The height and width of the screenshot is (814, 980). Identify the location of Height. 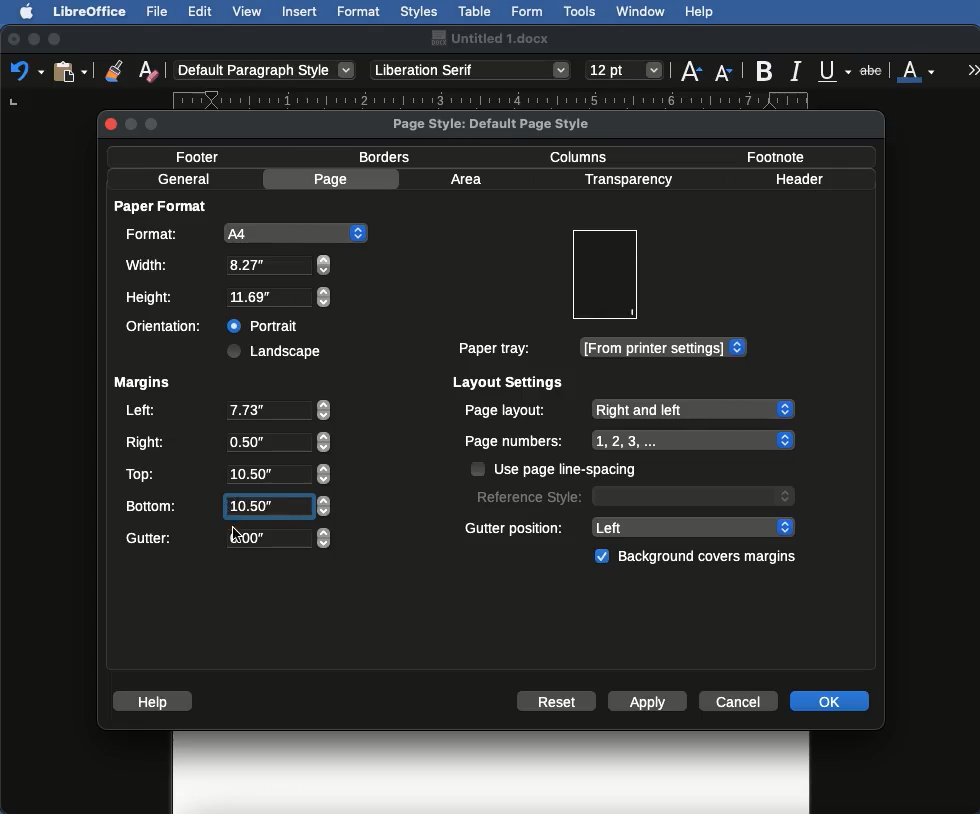
(229, 298).